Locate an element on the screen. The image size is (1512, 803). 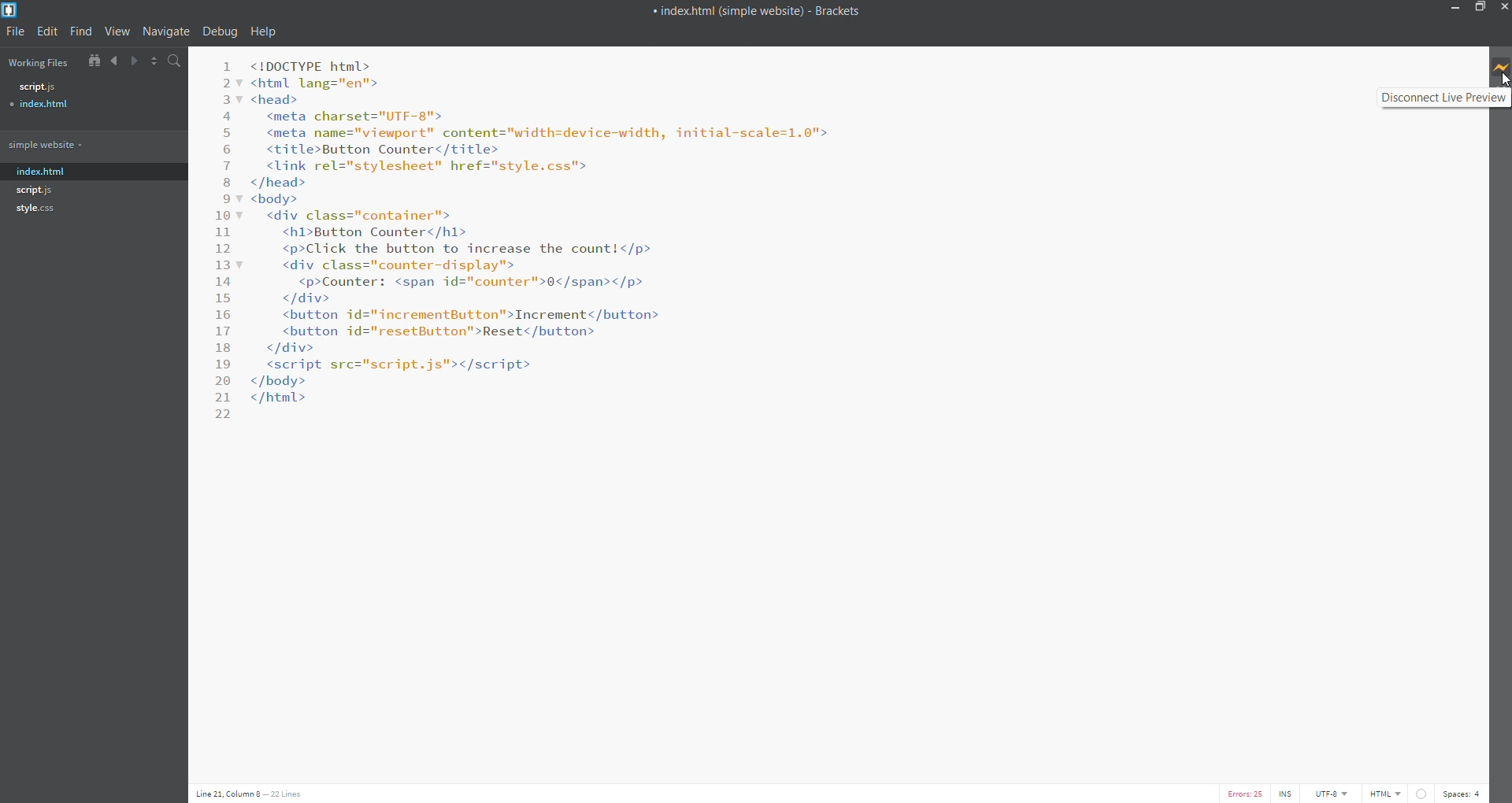
navigate is located at coordinates (166, 31).